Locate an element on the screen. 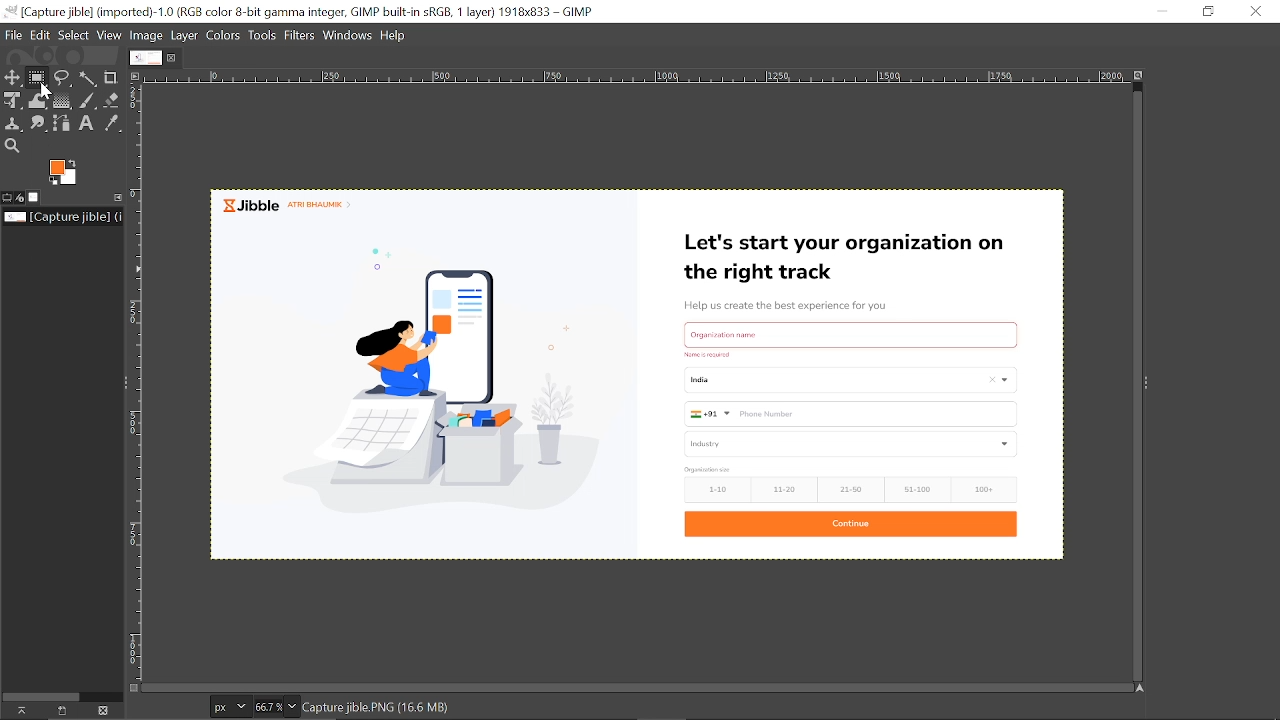 This screenshot has width=1280, height=720. Zoom image when window size change is located at coordinates (1136, 76).